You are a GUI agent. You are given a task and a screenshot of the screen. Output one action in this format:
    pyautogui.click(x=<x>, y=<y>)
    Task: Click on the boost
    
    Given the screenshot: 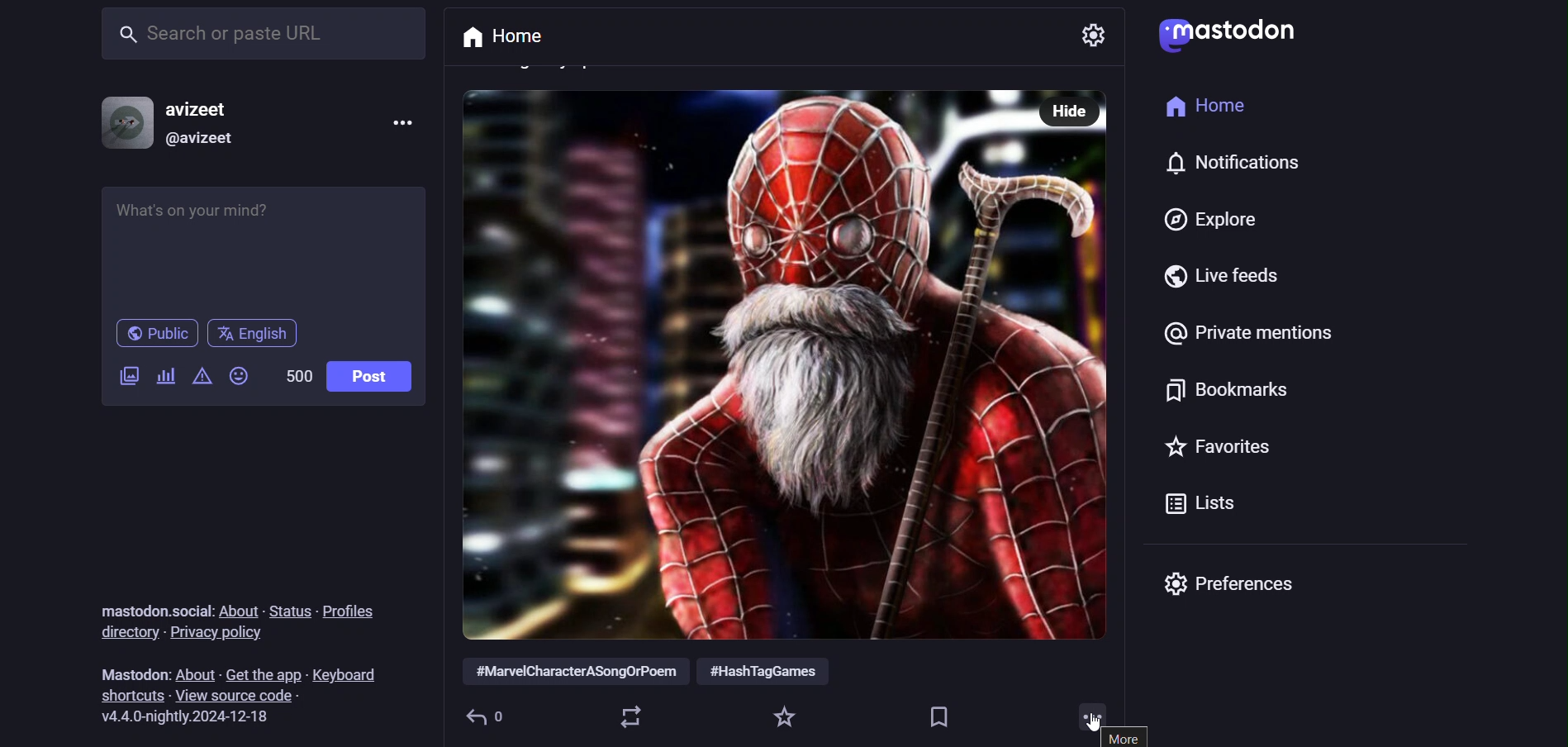 What is the action you would take?
    pyautogui.click(x=630, y=716)
    